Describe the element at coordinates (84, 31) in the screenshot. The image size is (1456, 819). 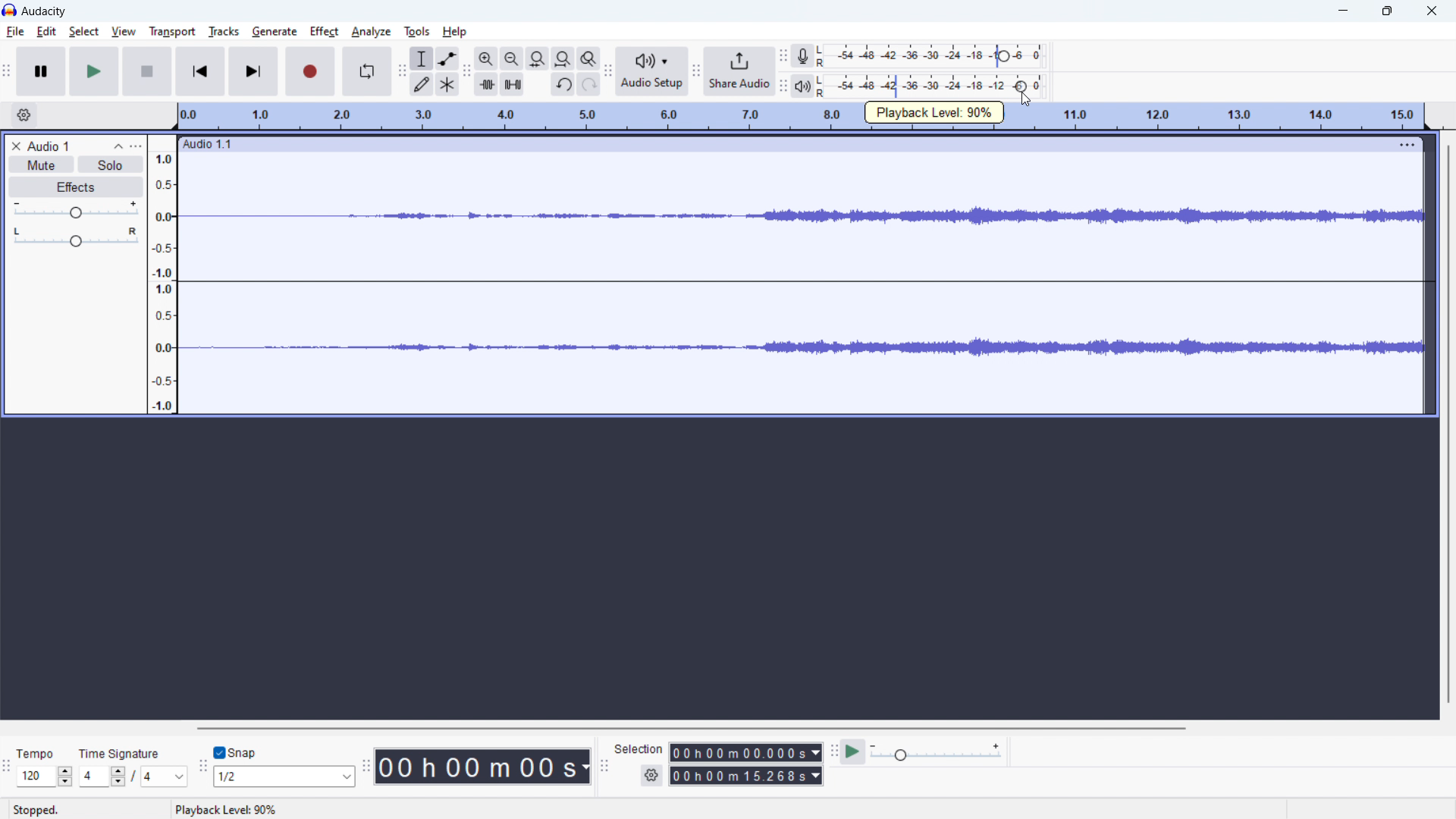
I see `select` at that location.